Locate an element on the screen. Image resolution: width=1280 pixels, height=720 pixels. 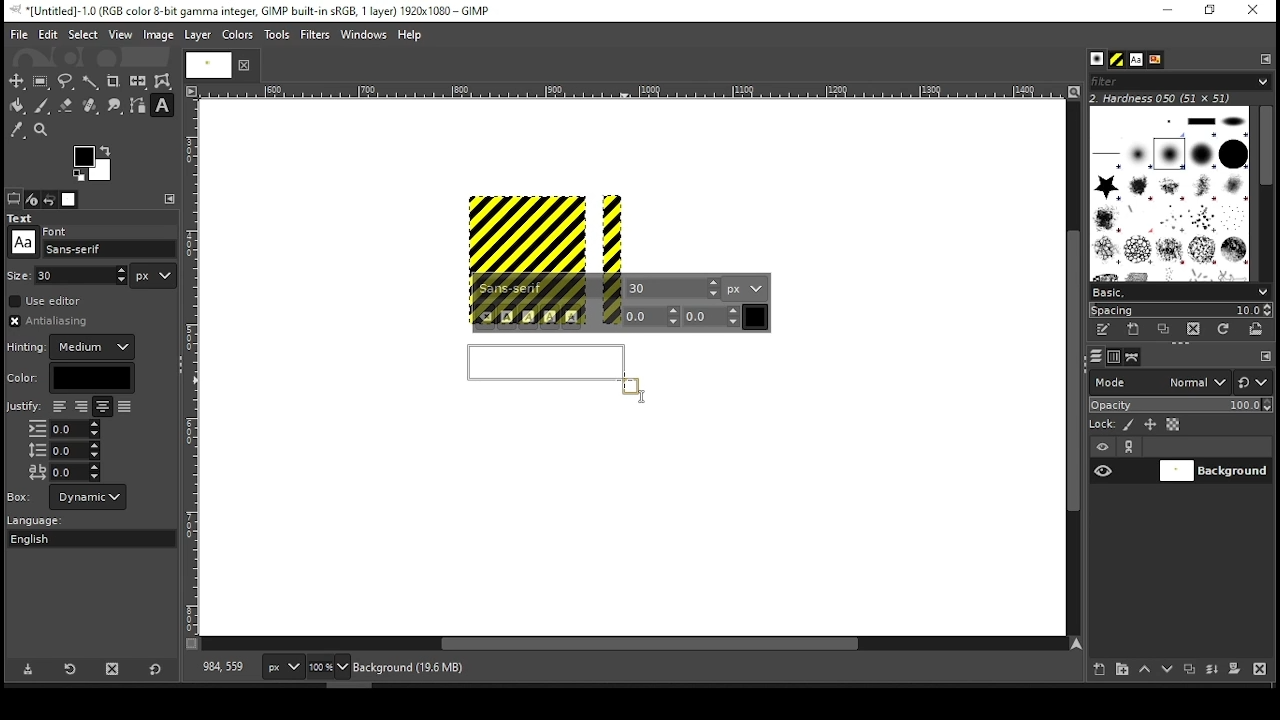
undo history is located at coordinates (51, 200).